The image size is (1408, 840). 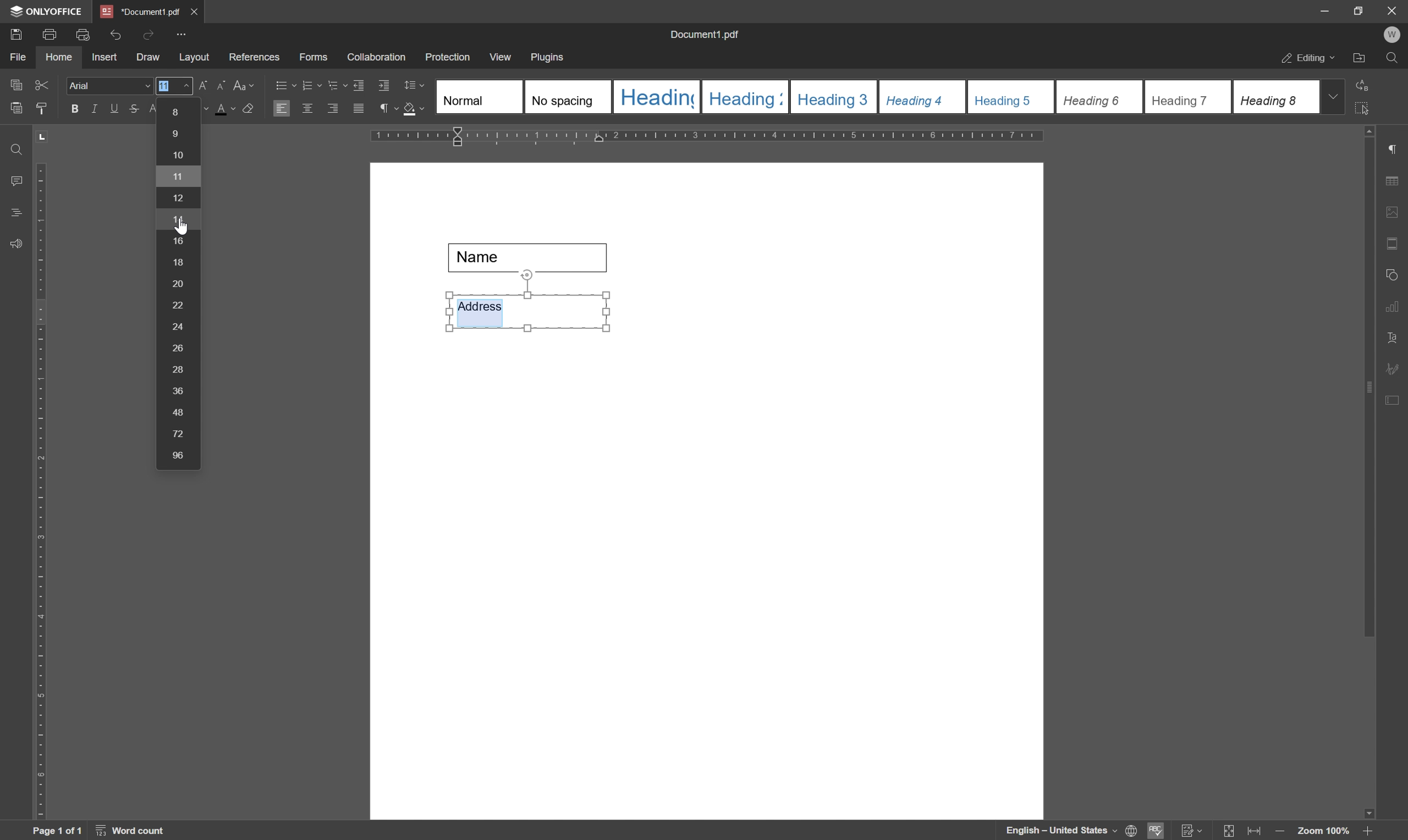 I want to click on bold, so click(x=71, y=109).